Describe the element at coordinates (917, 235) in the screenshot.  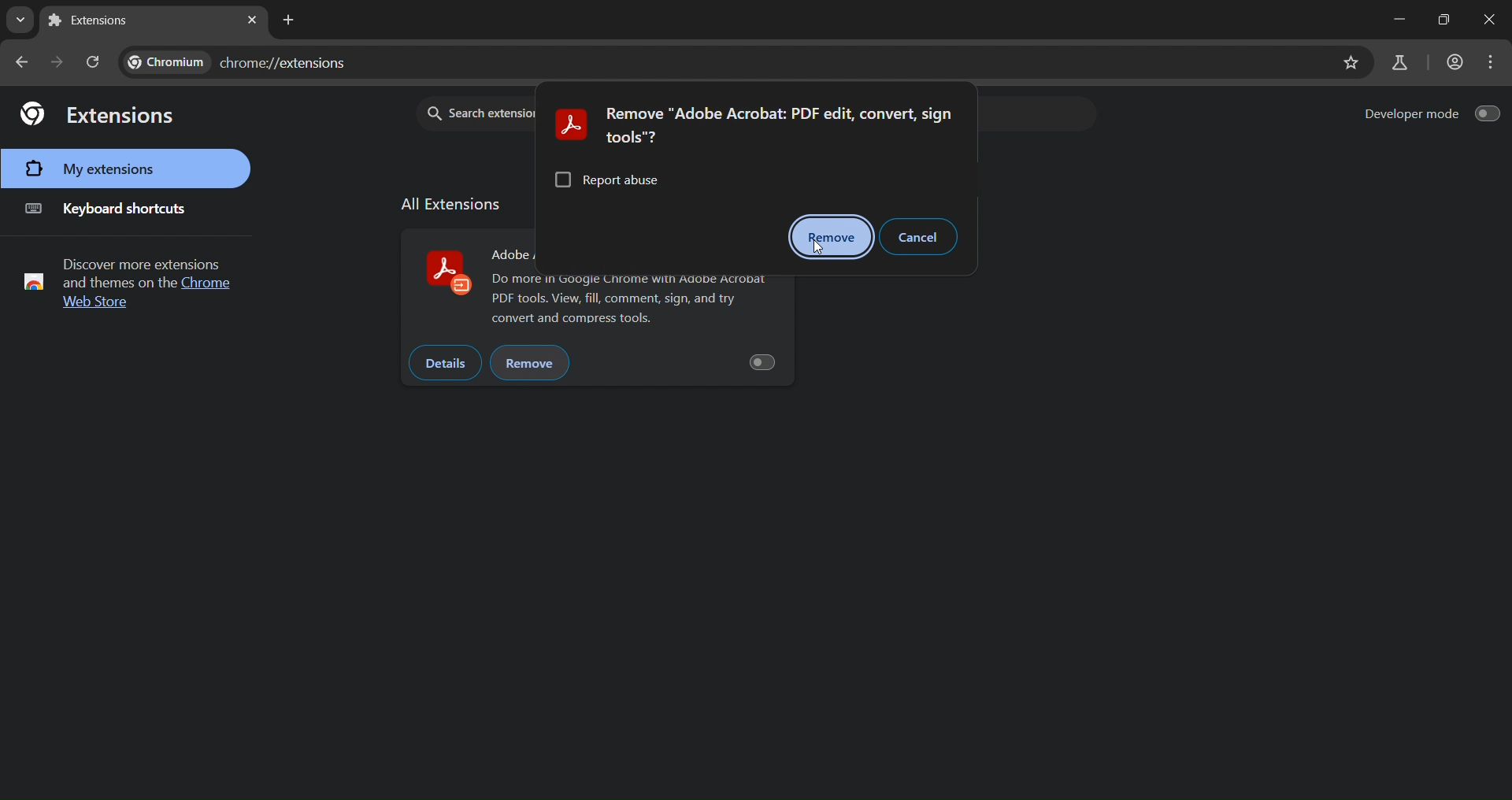
I see `cancel` at that location.